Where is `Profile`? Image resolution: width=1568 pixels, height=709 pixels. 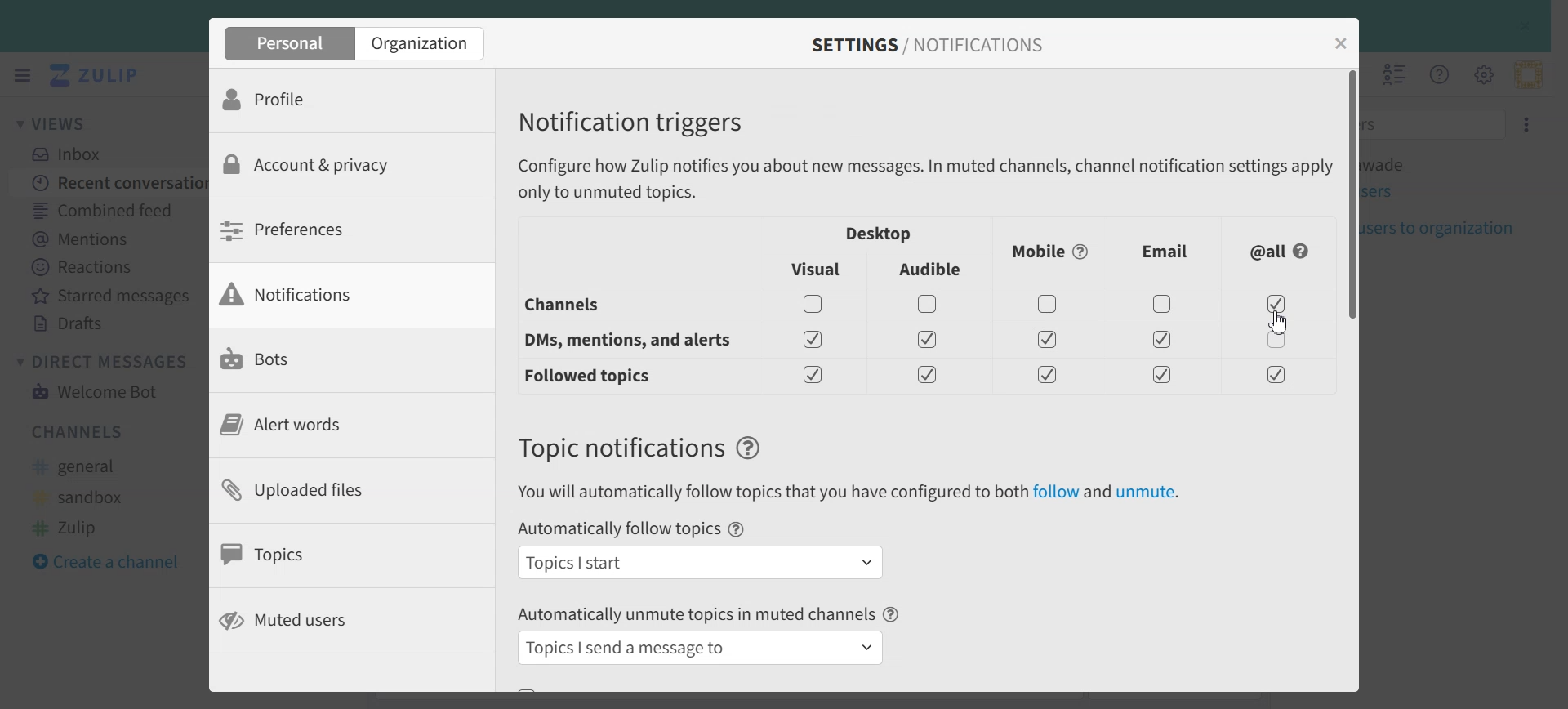 Profile is located at coordinates (332, 100).